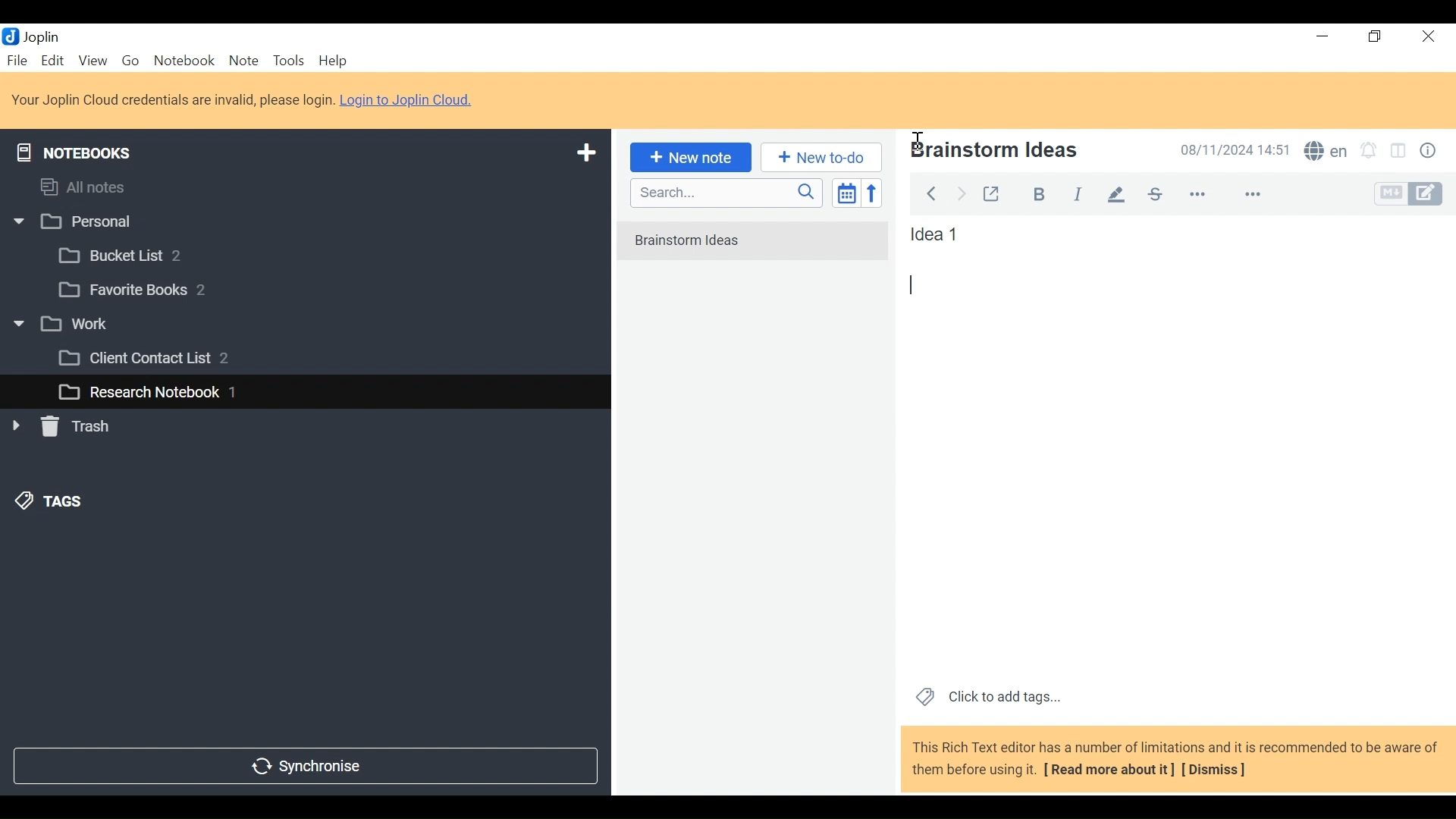  I want to click on [3 Client Contact List 2, so click(166, 362).